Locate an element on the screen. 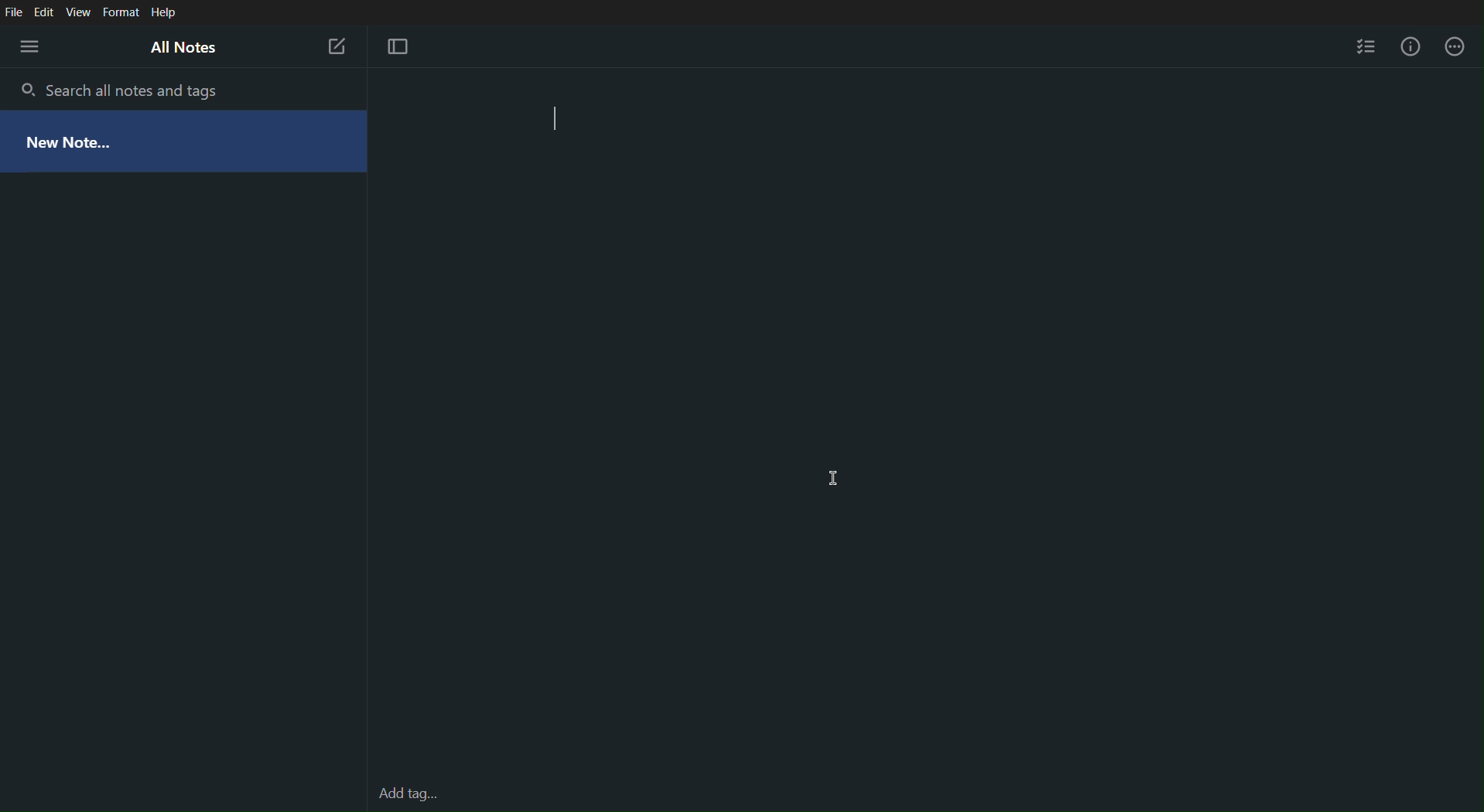  Format  is located at coordinates (122, 11).